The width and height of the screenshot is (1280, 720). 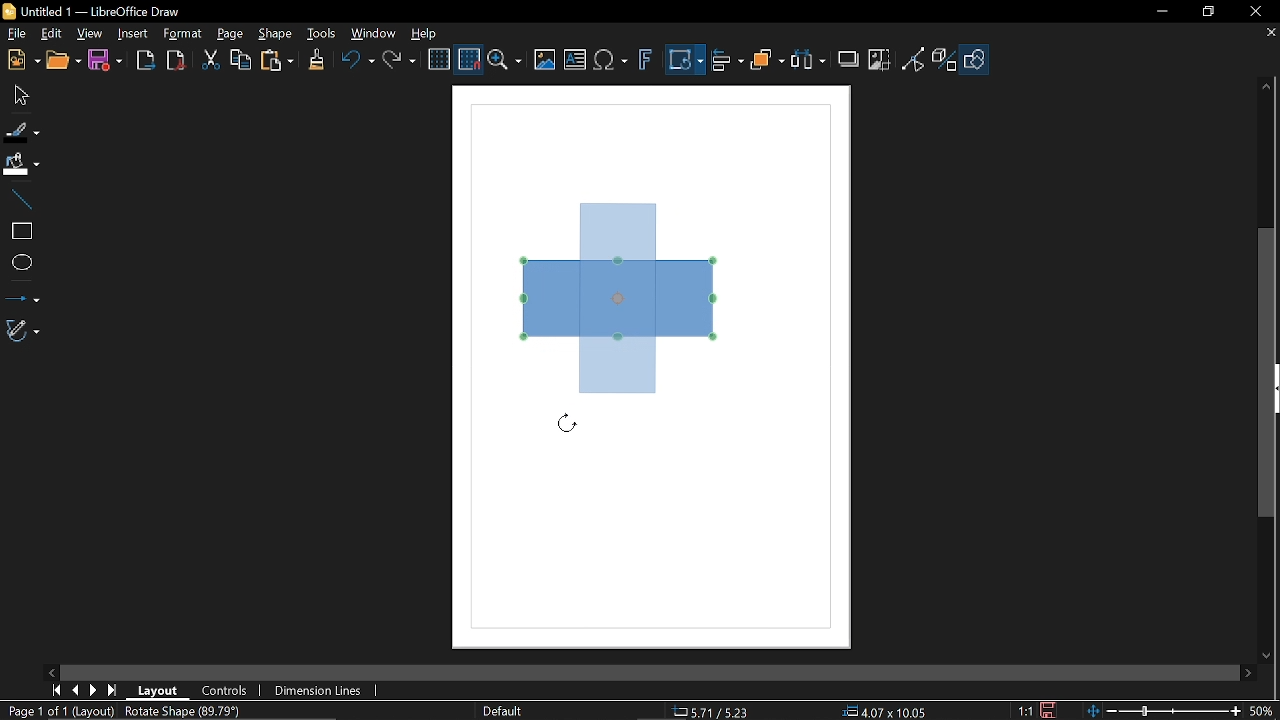 I want to click on Controls, so click(x=226, y=690).